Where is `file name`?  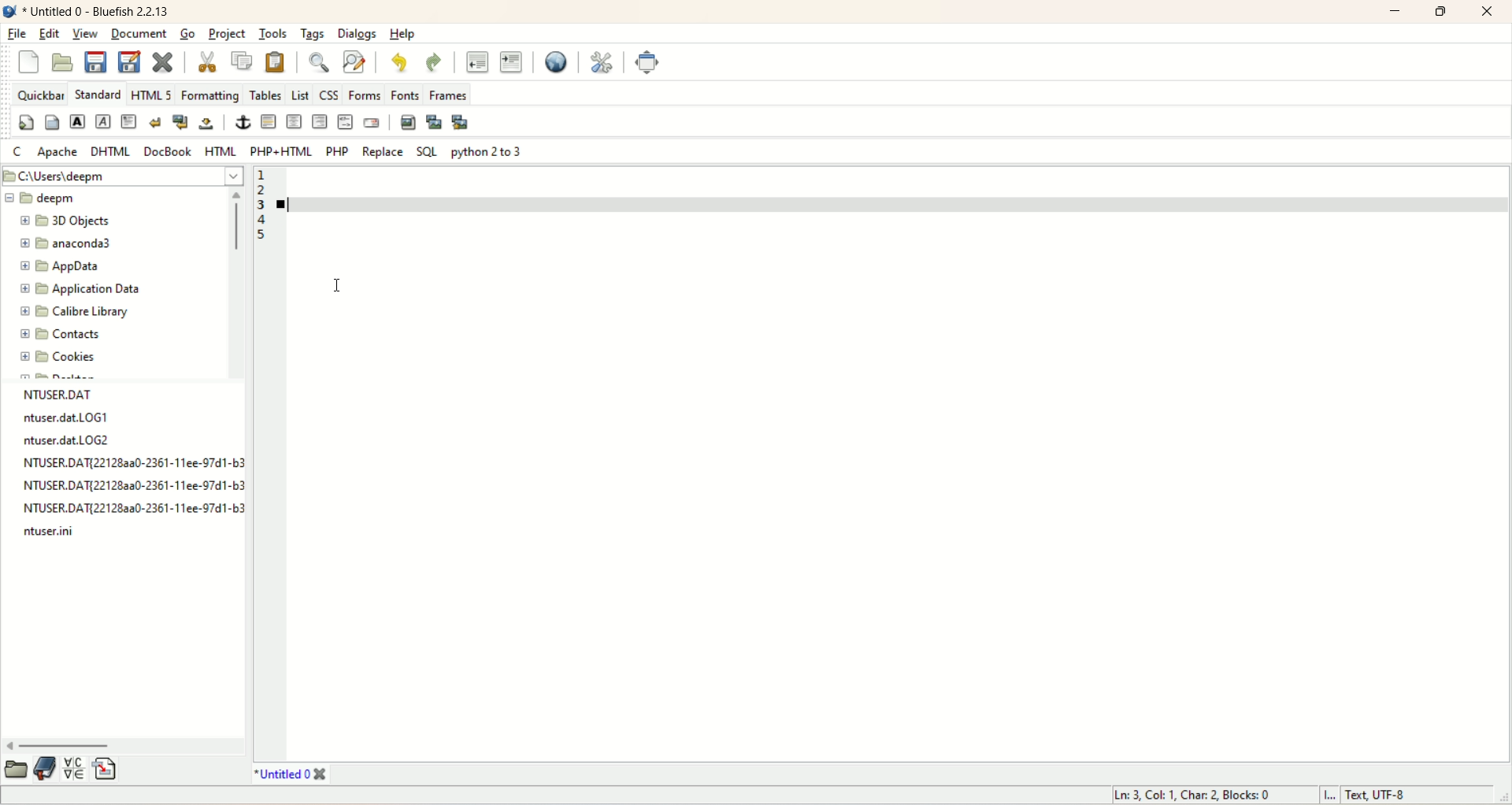
file name is located at coordinates (135, 487).